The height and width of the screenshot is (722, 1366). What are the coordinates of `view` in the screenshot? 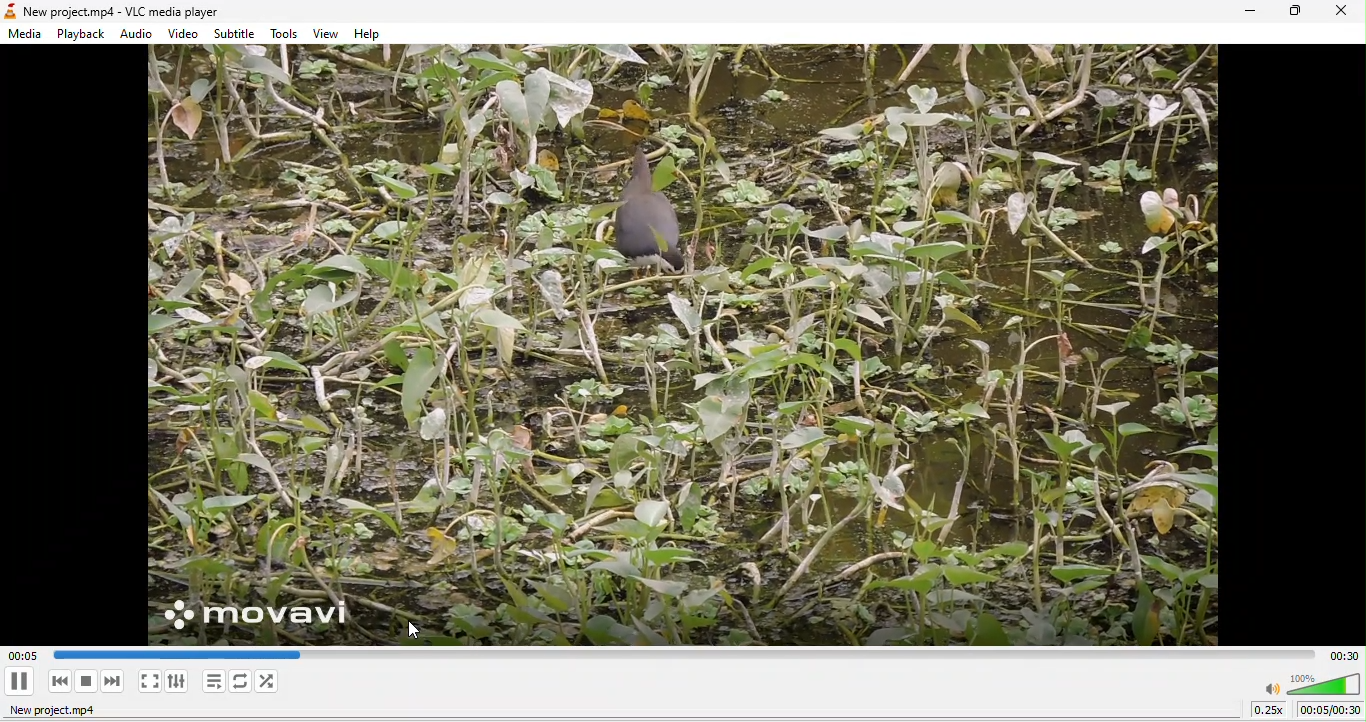 It's located at (324, 34).